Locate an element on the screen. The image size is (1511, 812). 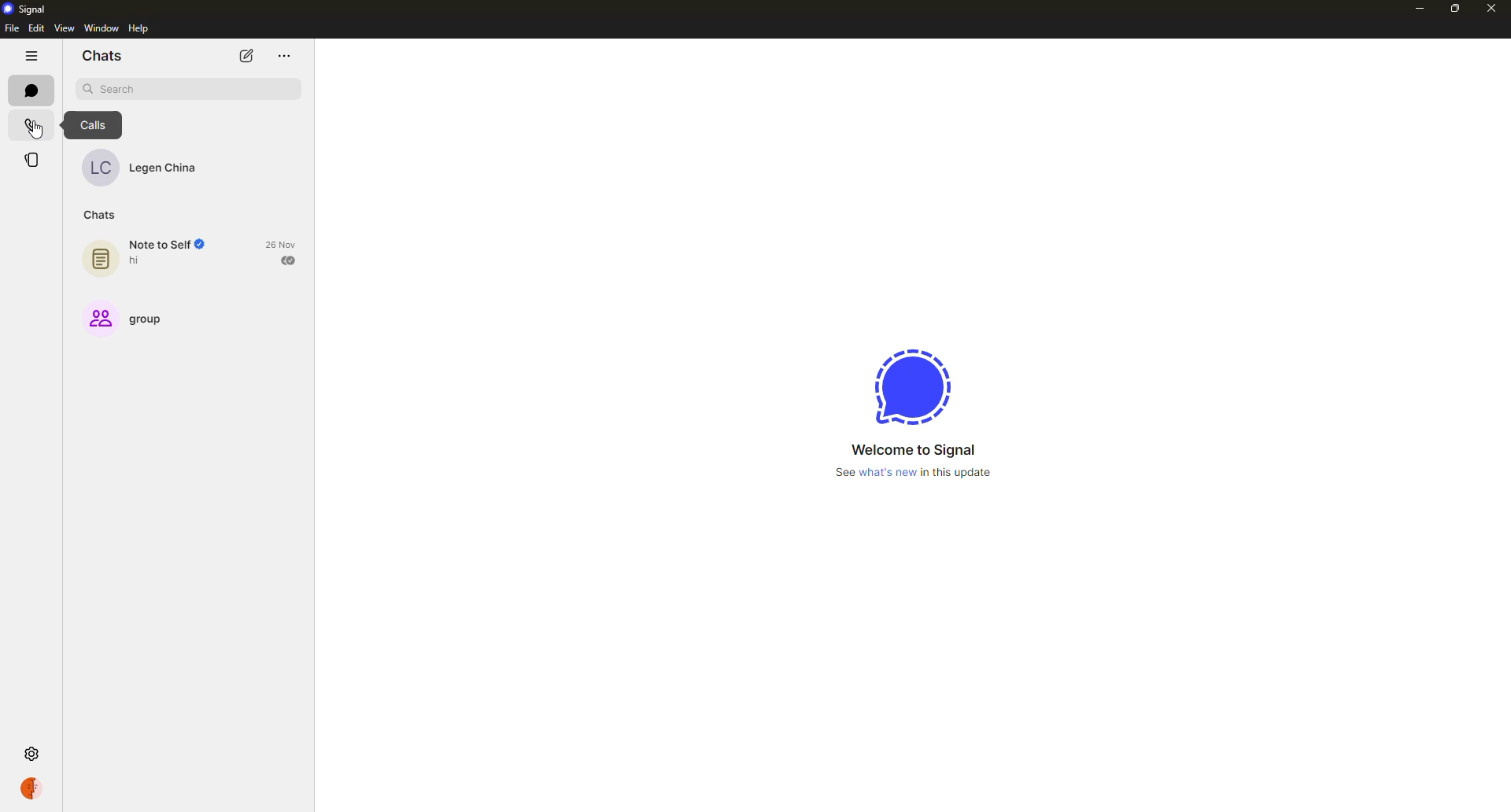
date is located at coordinates (282, 244).